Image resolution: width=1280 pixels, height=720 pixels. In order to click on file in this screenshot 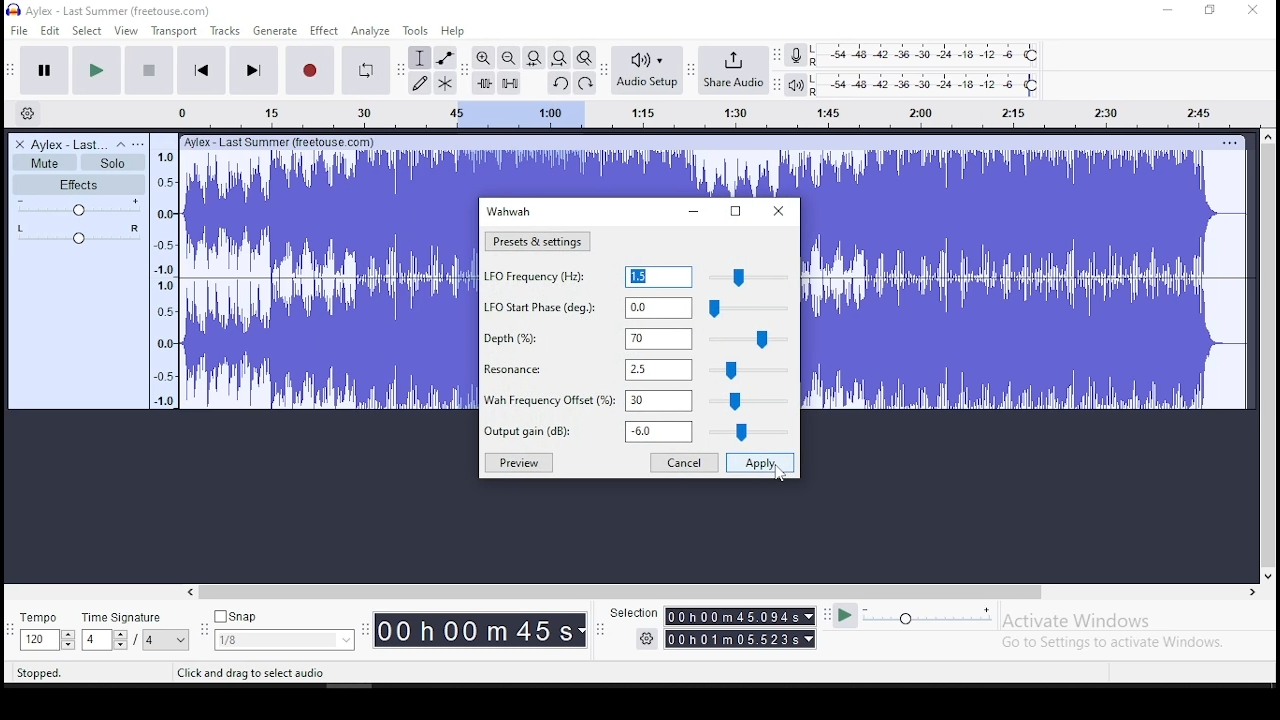, I will do `click(20, 30)`.